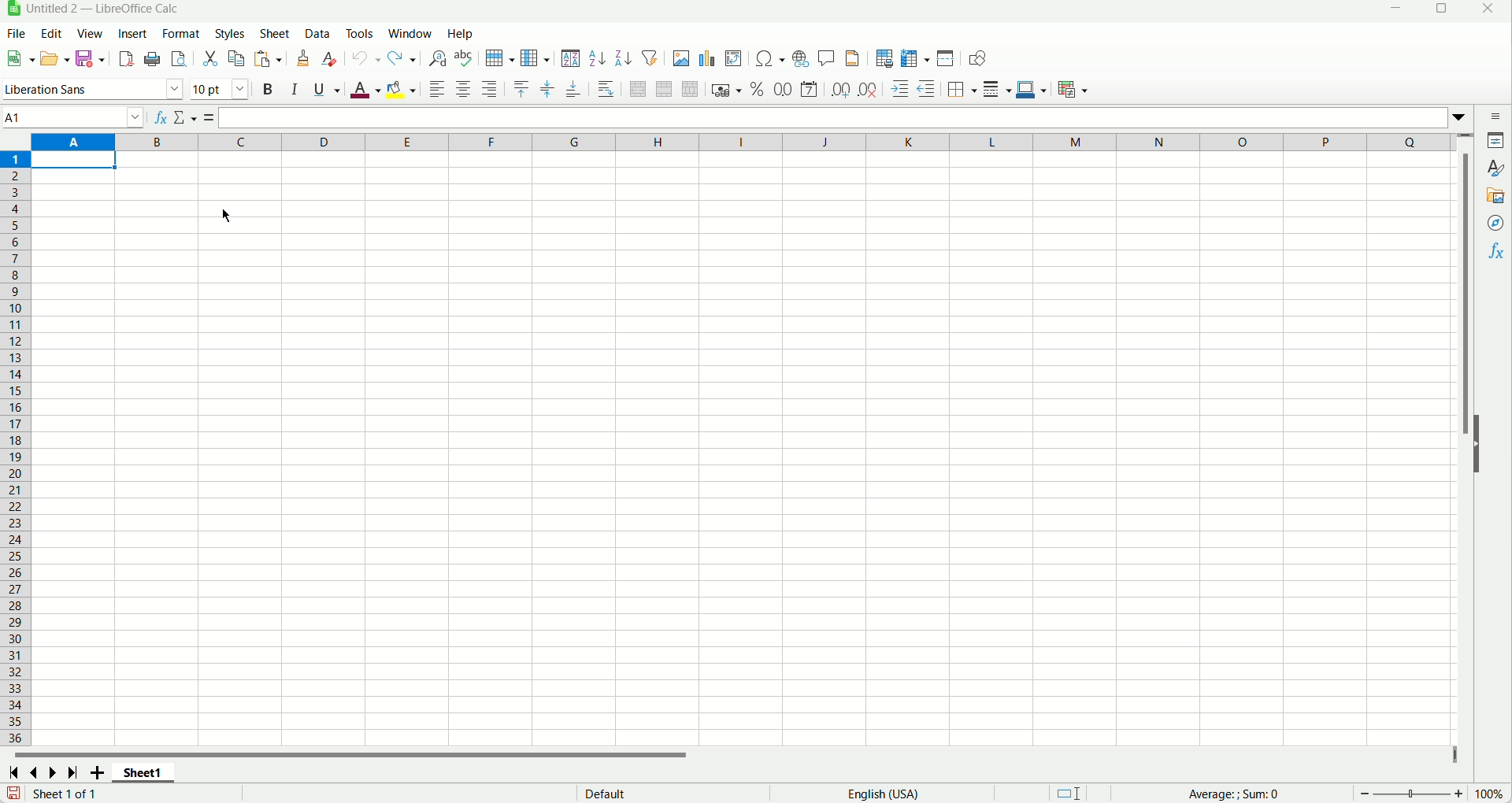 The width and height of the screenshot is (1512, 803). What do you see at coordinates (598, 59) in the screenshot?
I see `Sort ascending` at bounding box center [598, 59].